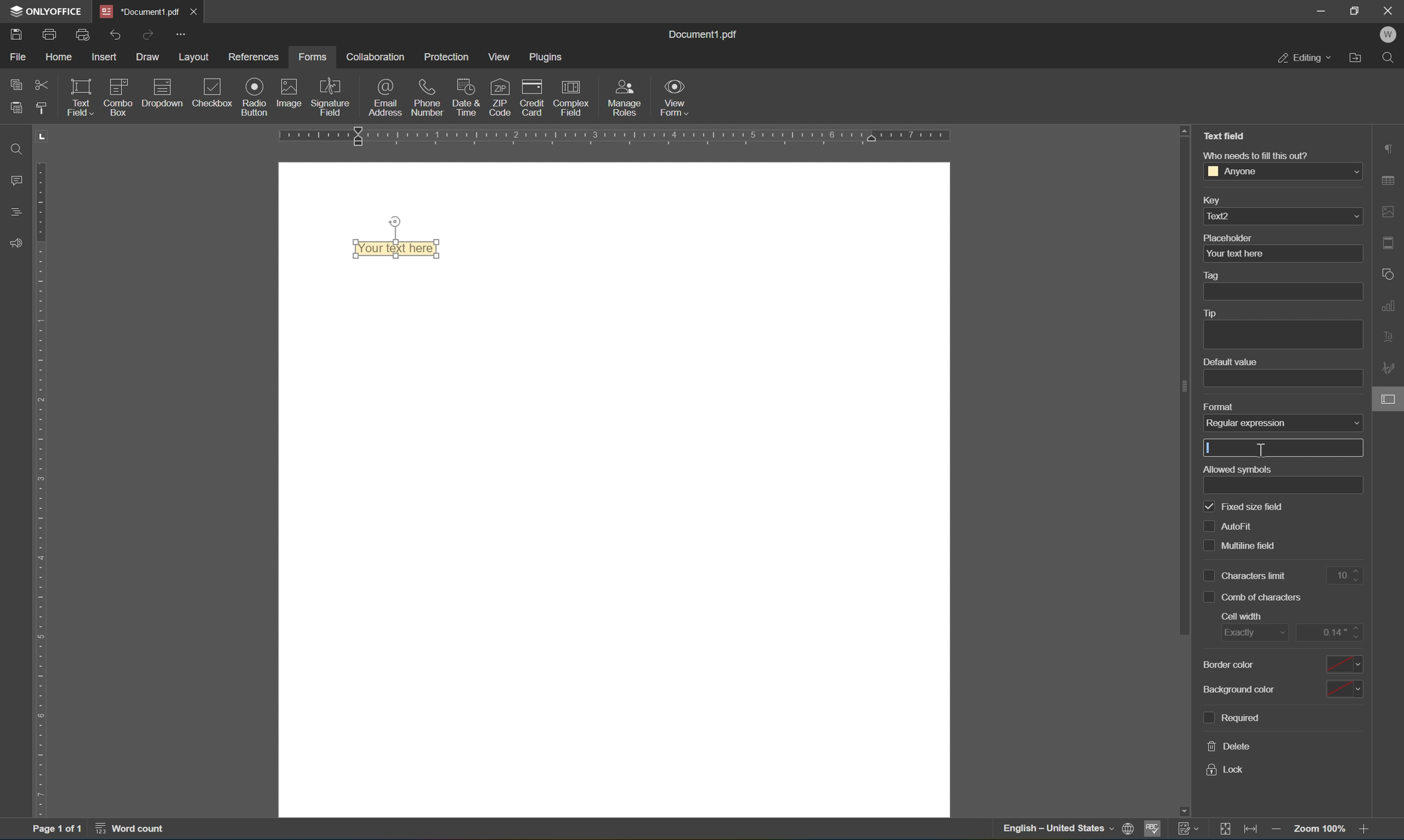  Describe the element at coordinates (13, 84) in the screenshot. I see `copy` at that location.